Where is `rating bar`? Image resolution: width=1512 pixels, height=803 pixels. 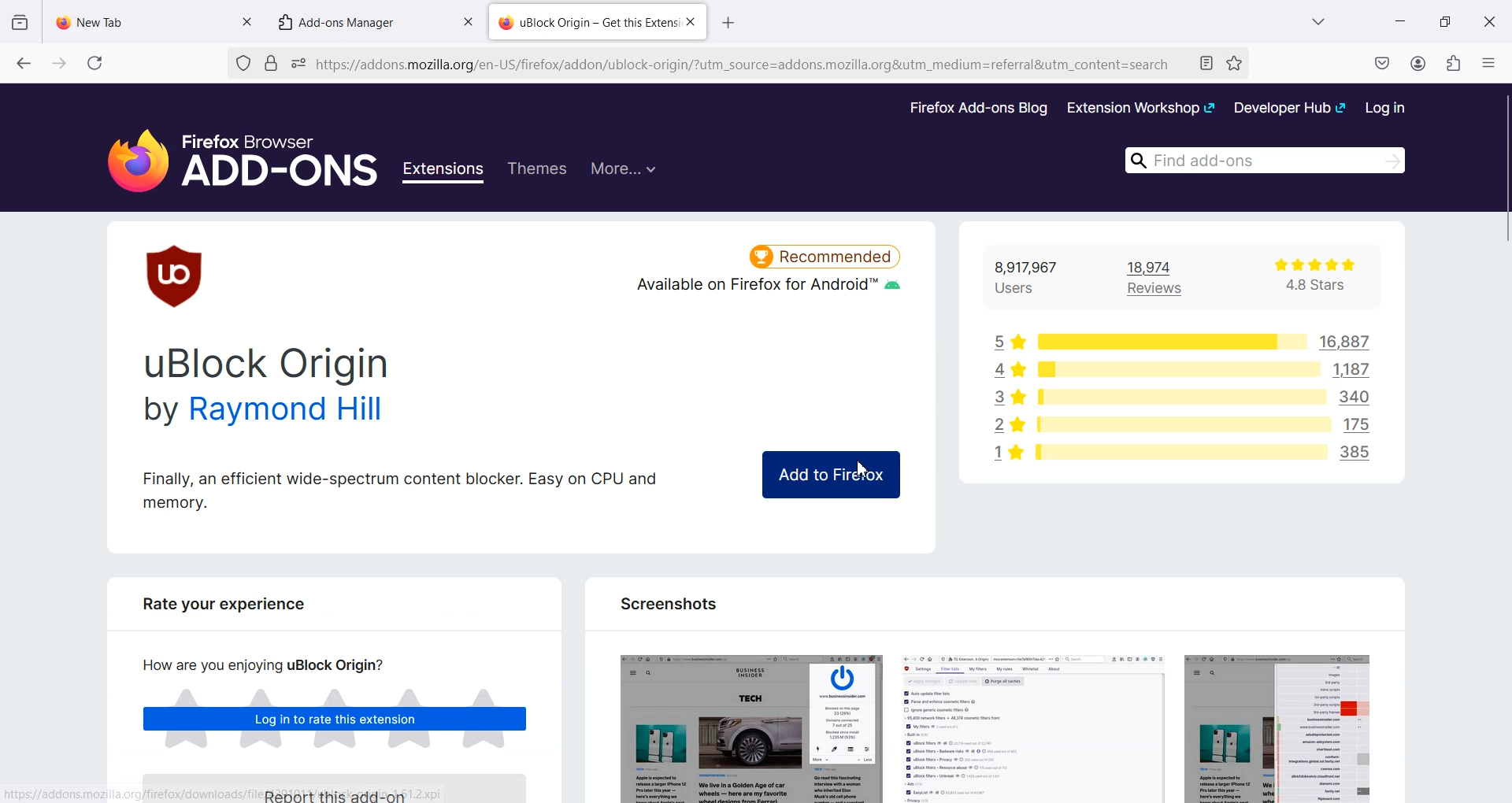
rating bar is located at coordinates (1167, 341).